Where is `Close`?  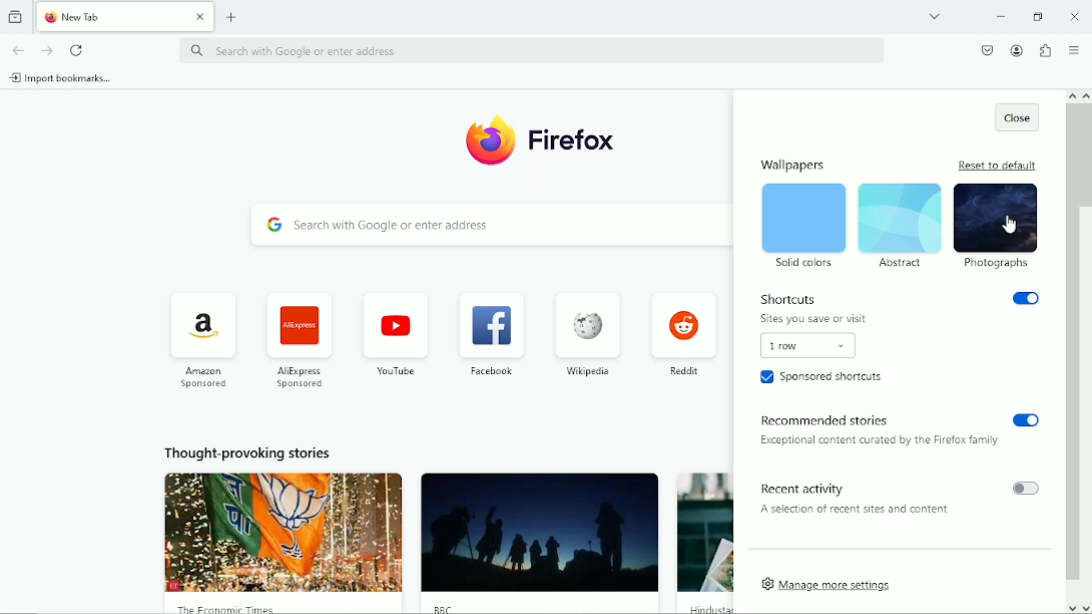
Close is located at coordinates (1019, 119).